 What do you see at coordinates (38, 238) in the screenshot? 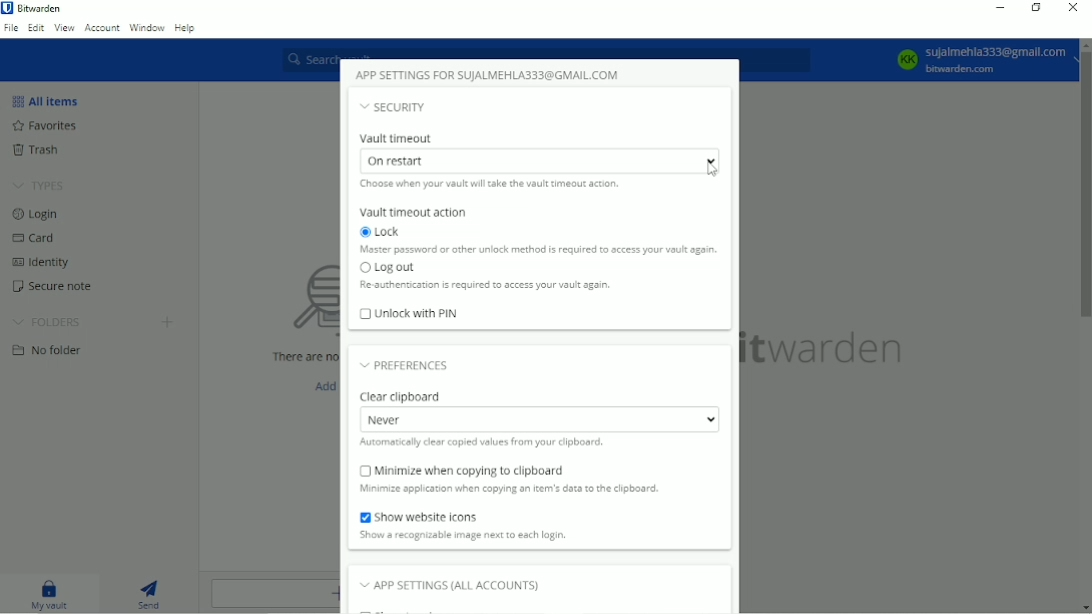
I see `Card` at bounding box center [38, 238].